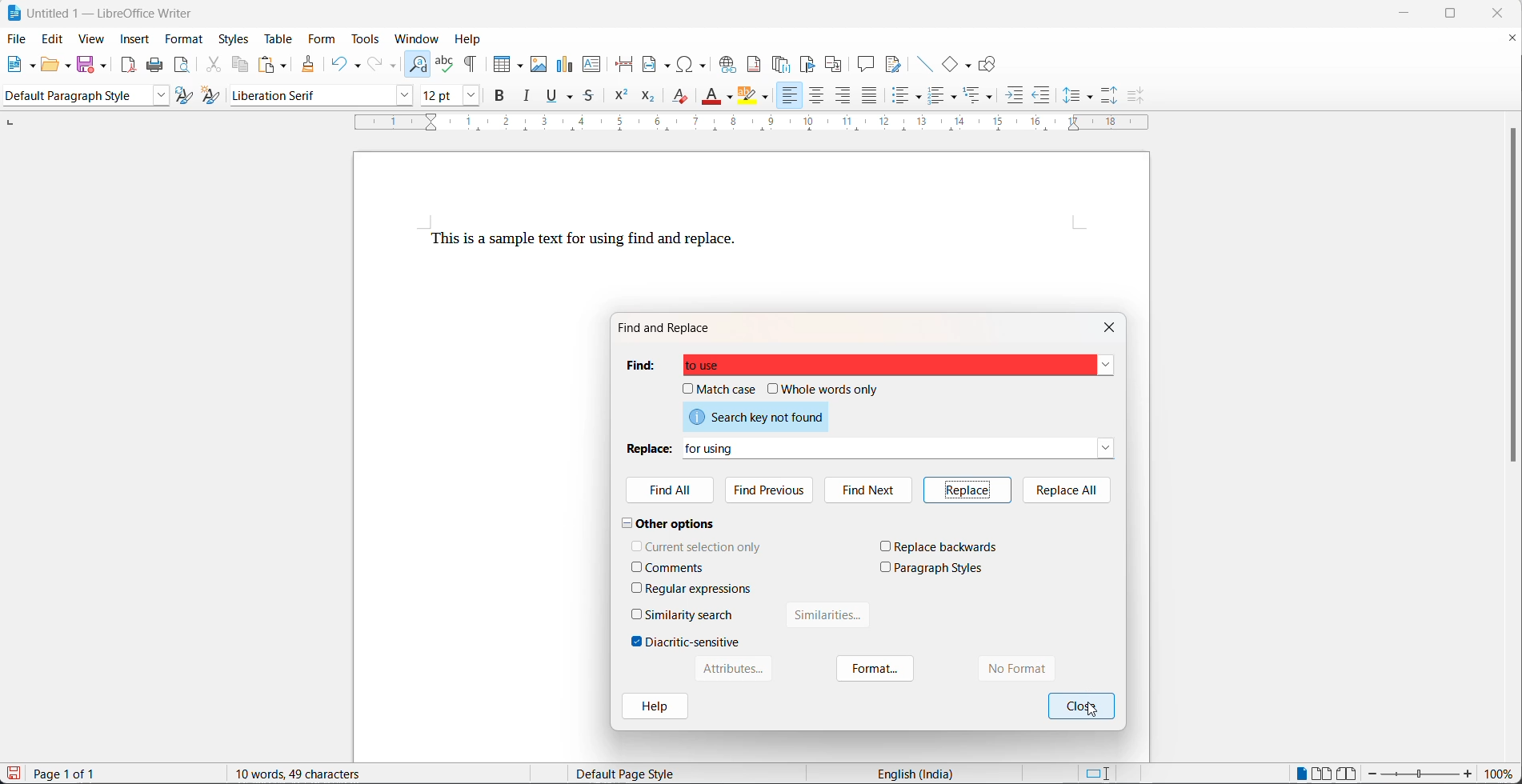 This screenshot has width=1522, height=784. Describe the element at coordinates (104, 65) in the screenshot. I see `save options` at that location.